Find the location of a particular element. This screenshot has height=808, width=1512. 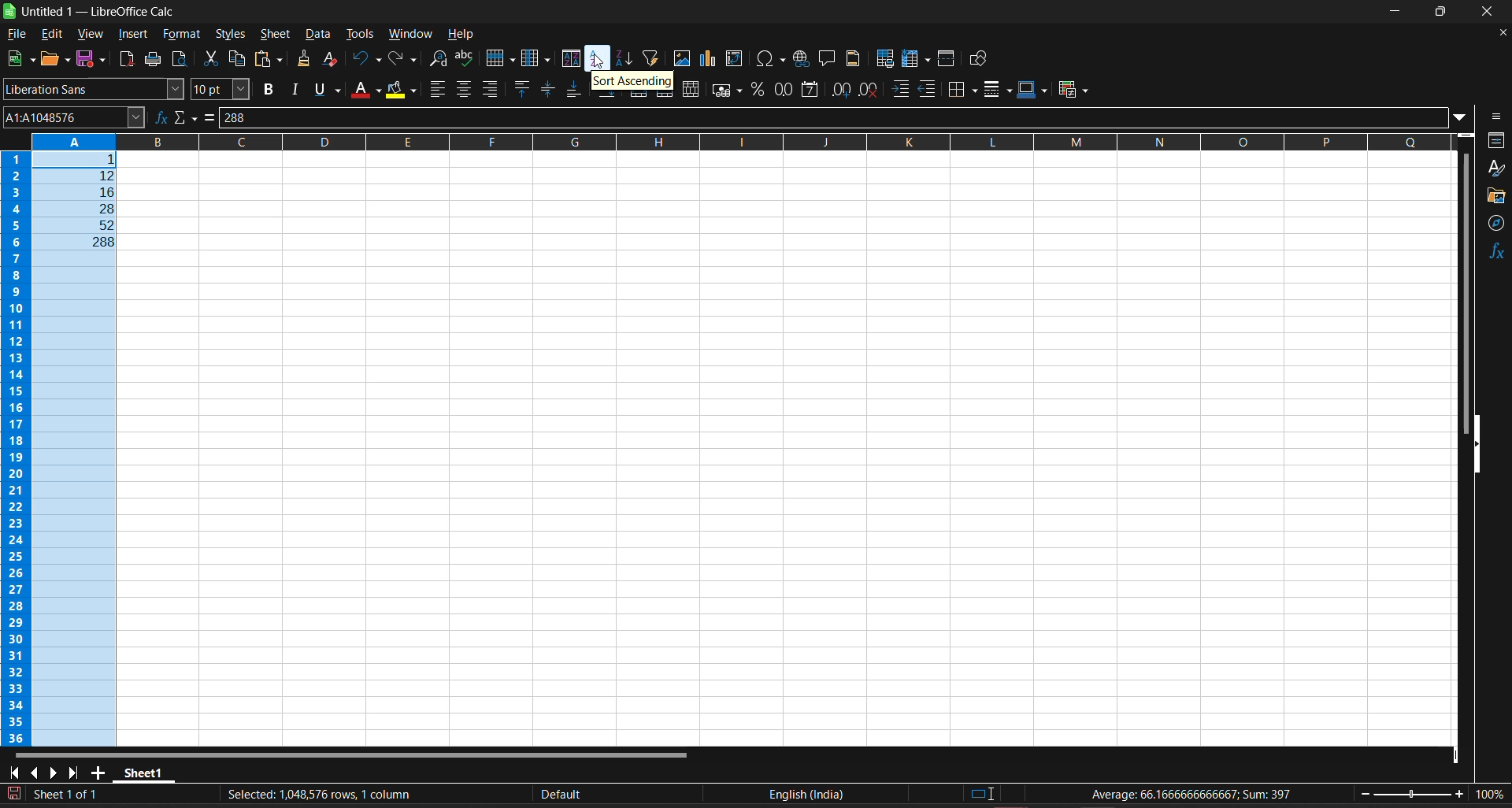

insert is located at coordinates (134, 35).